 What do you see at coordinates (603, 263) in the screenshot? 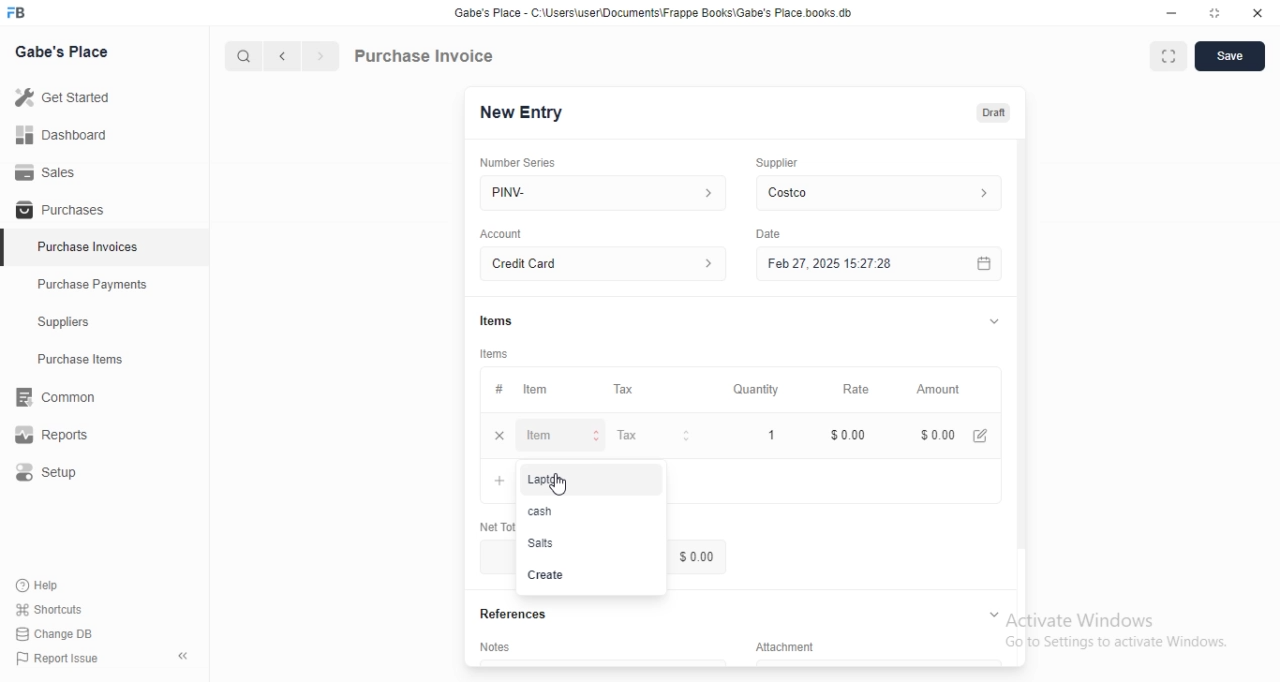
I see `Credit Card` at bounding box center [603, 263].